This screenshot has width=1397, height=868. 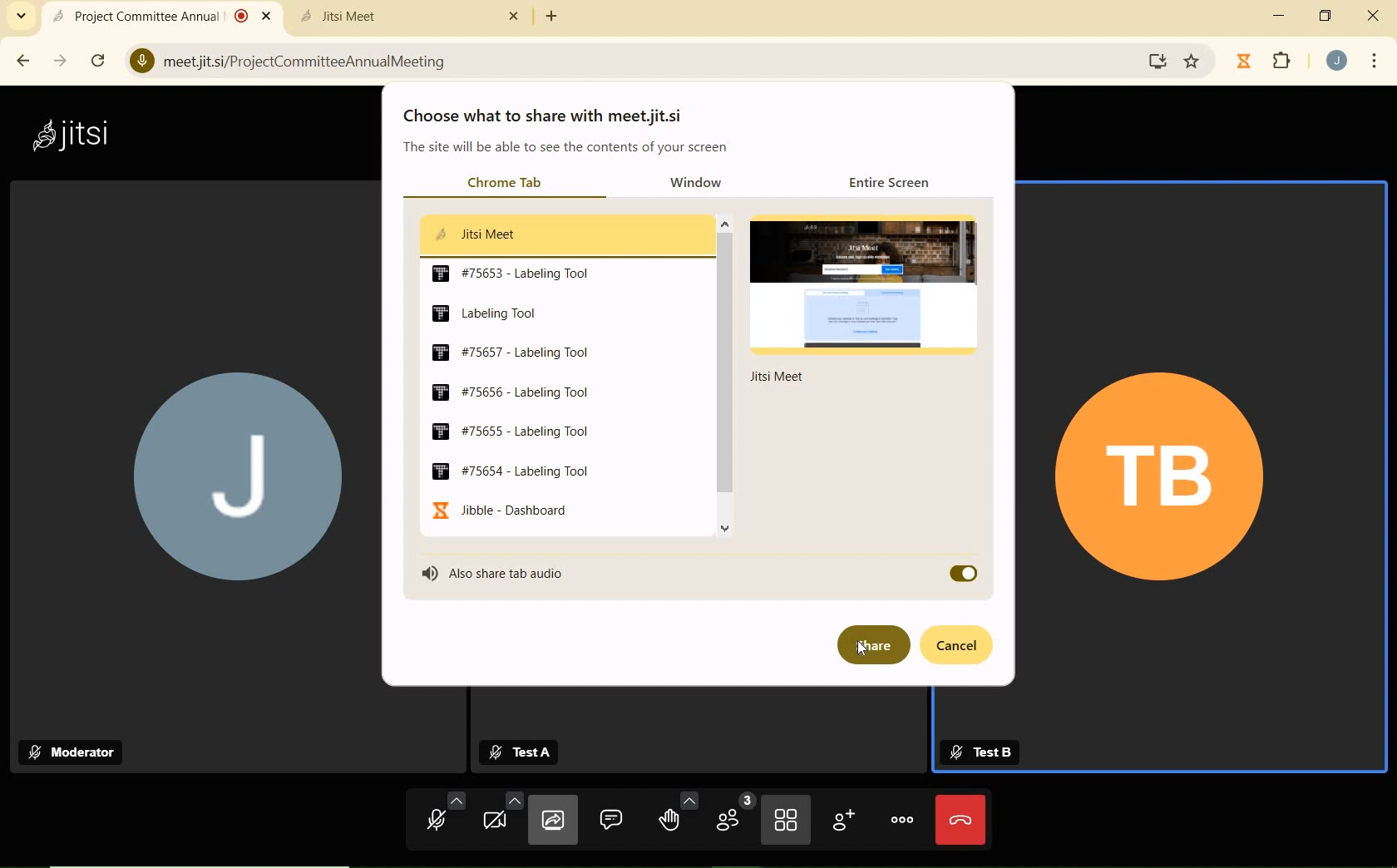 I want to click on #75655 - Labeling Tool, so click(x=507, y=429).